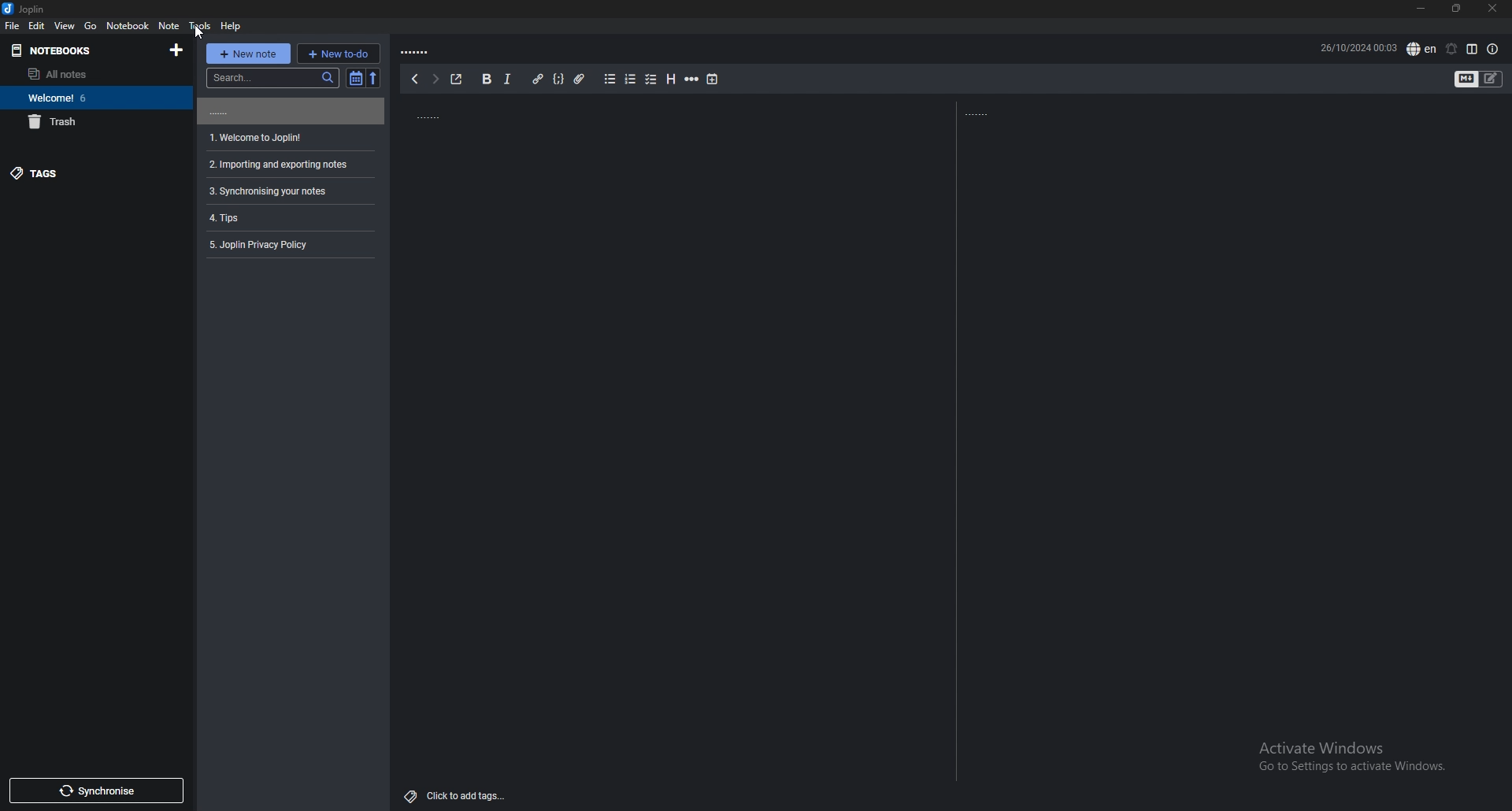  I want to click on notebook, so click(127, 25).